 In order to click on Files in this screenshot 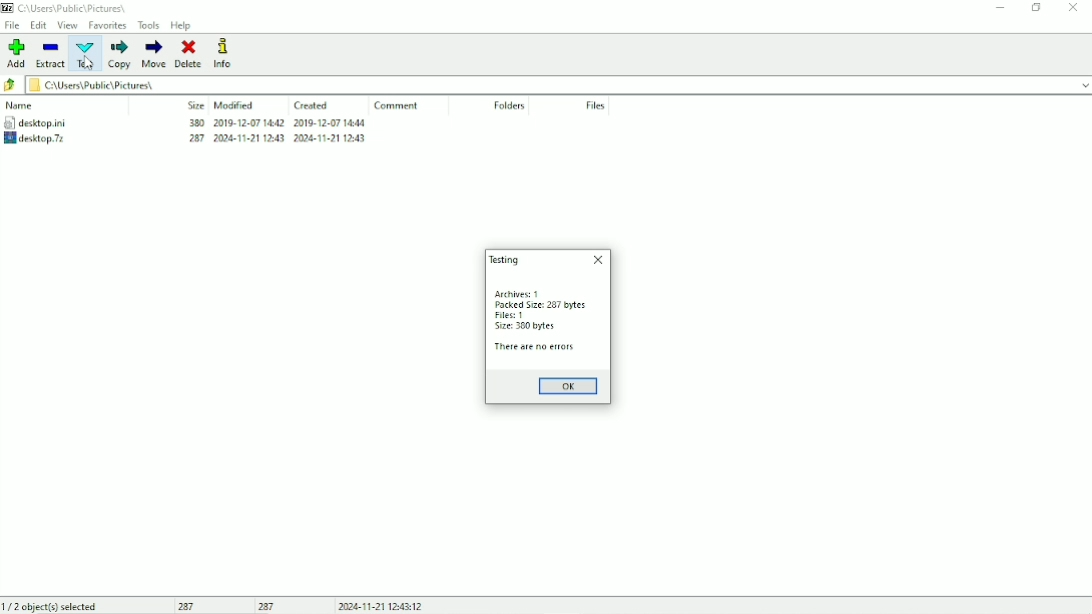, I will do `click(596, 105)`.